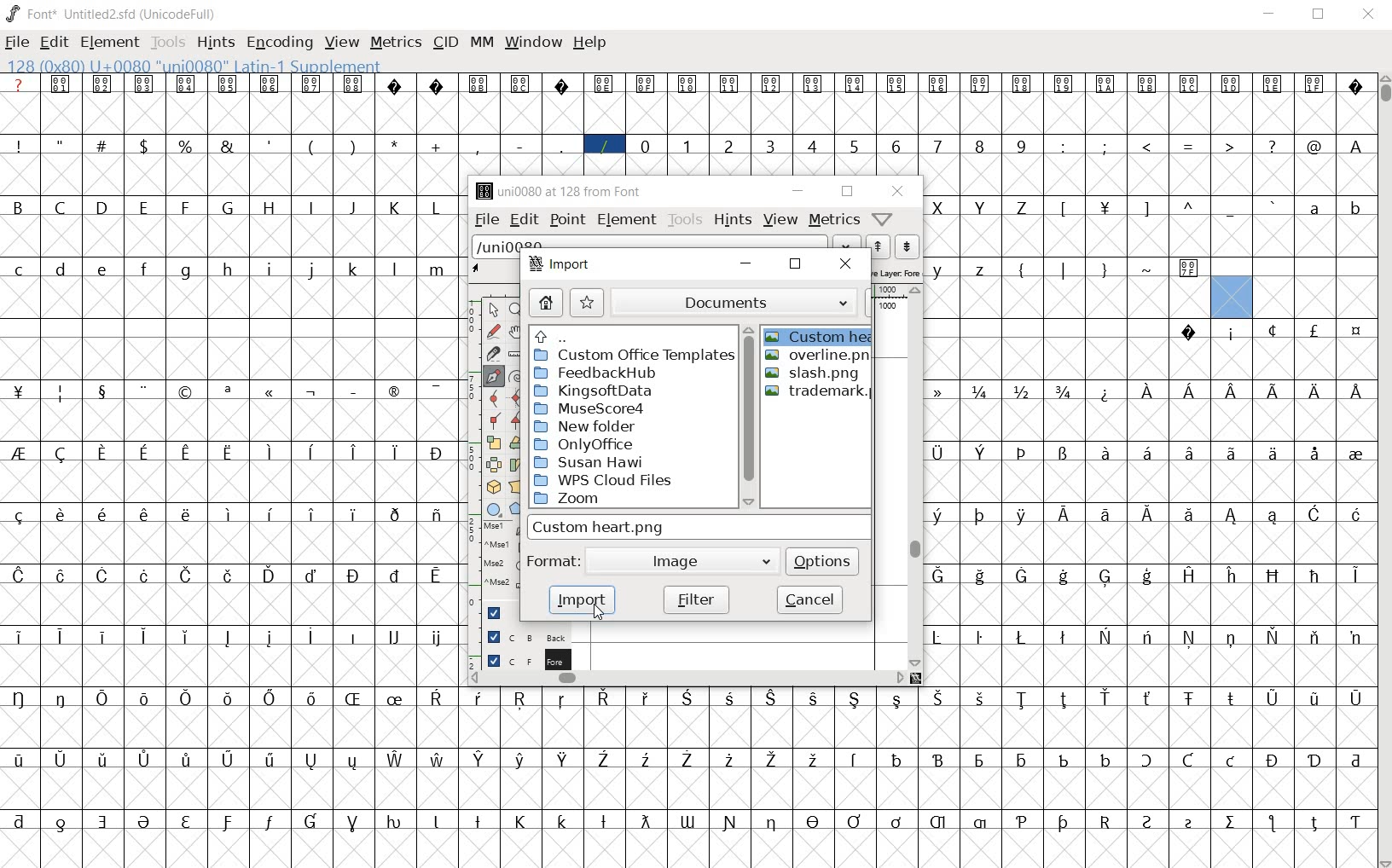  Describe the element at coordinates (1271, 13) in the screenshot. I see `MINIMIZE` at that location.